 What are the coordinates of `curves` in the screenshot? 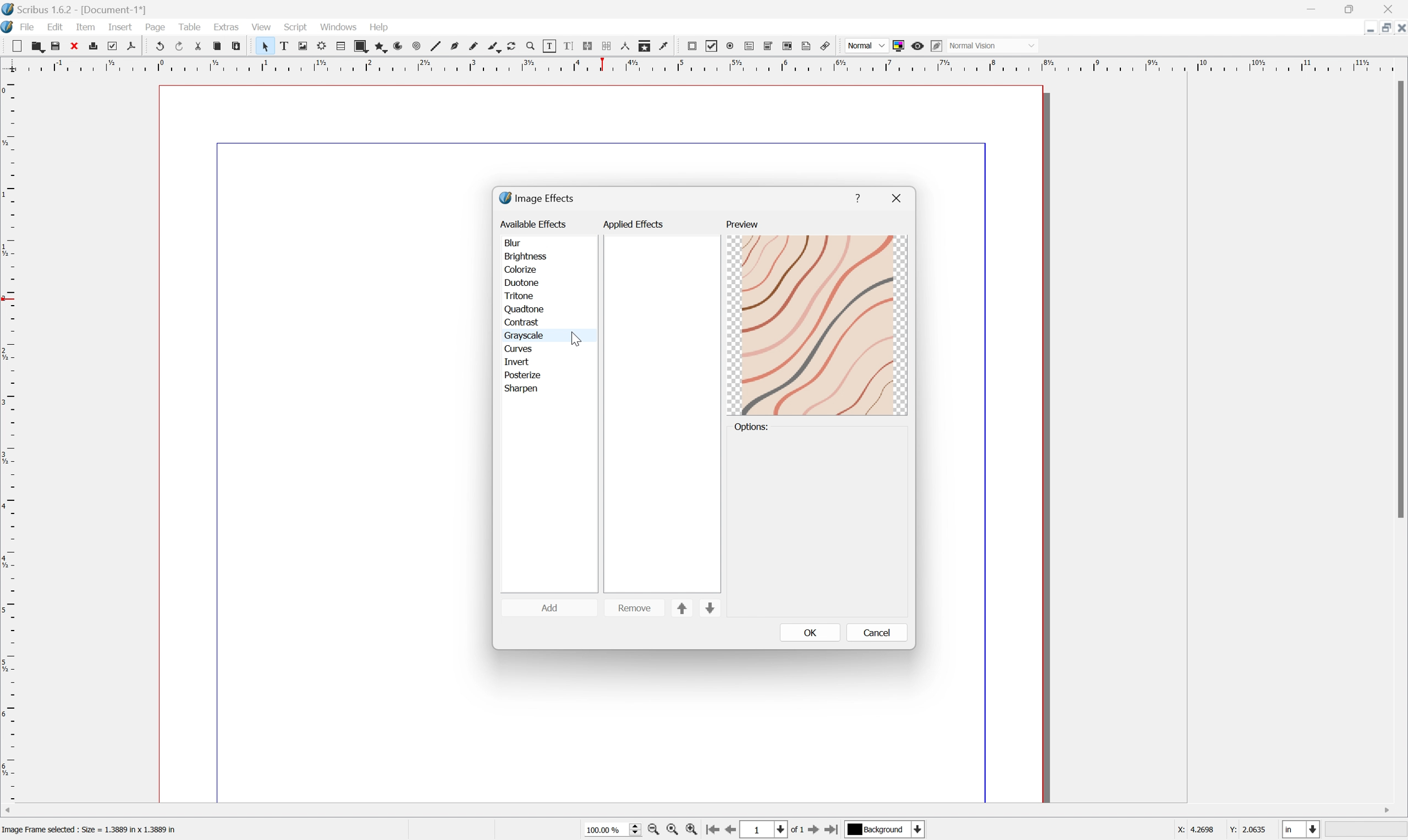 It's located at (519, 348).